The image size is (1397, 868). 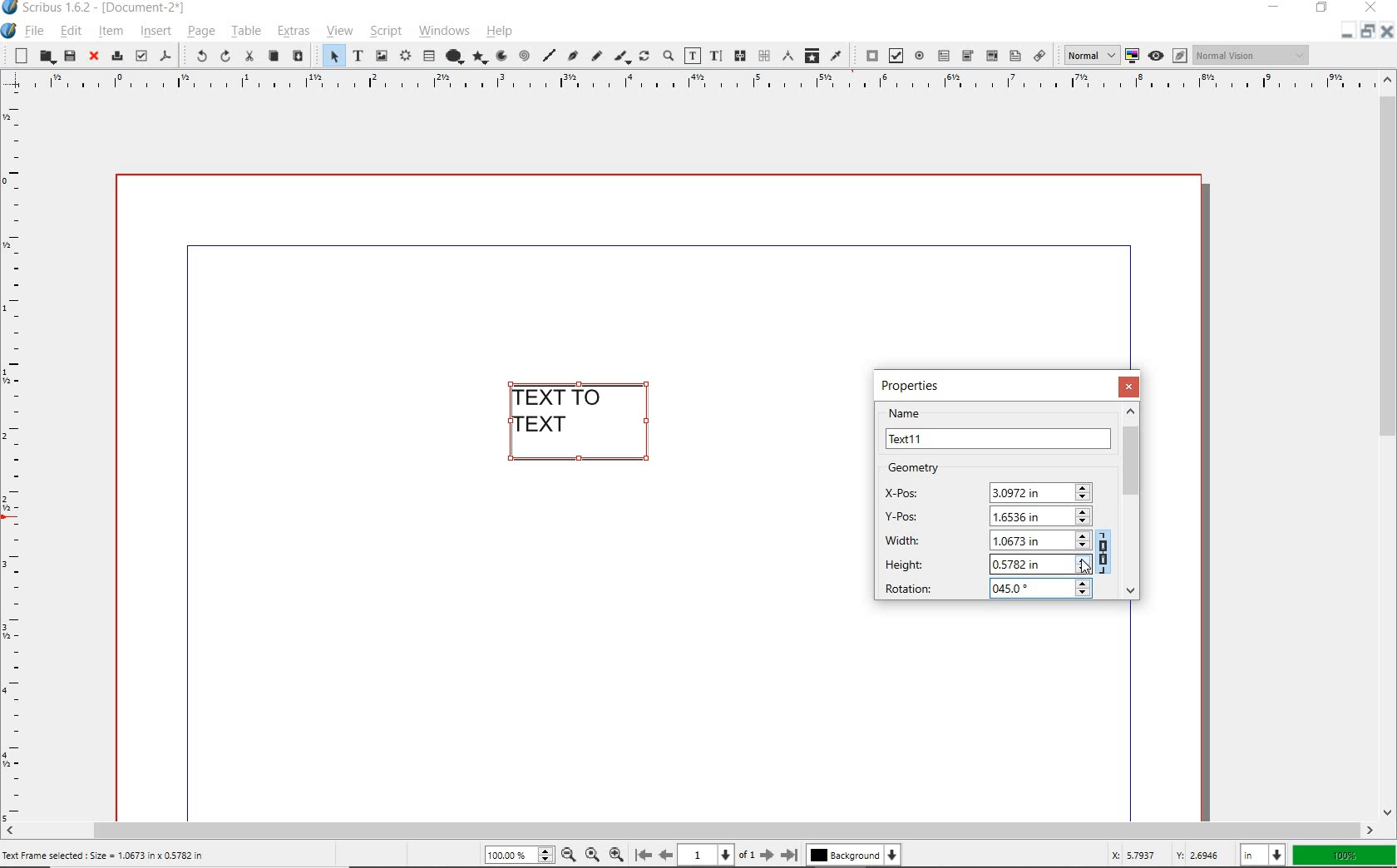 What do you see at coordinates (1161, 855) in the screenshot?
I see `coordinates` at bounding box center [1161, 855].